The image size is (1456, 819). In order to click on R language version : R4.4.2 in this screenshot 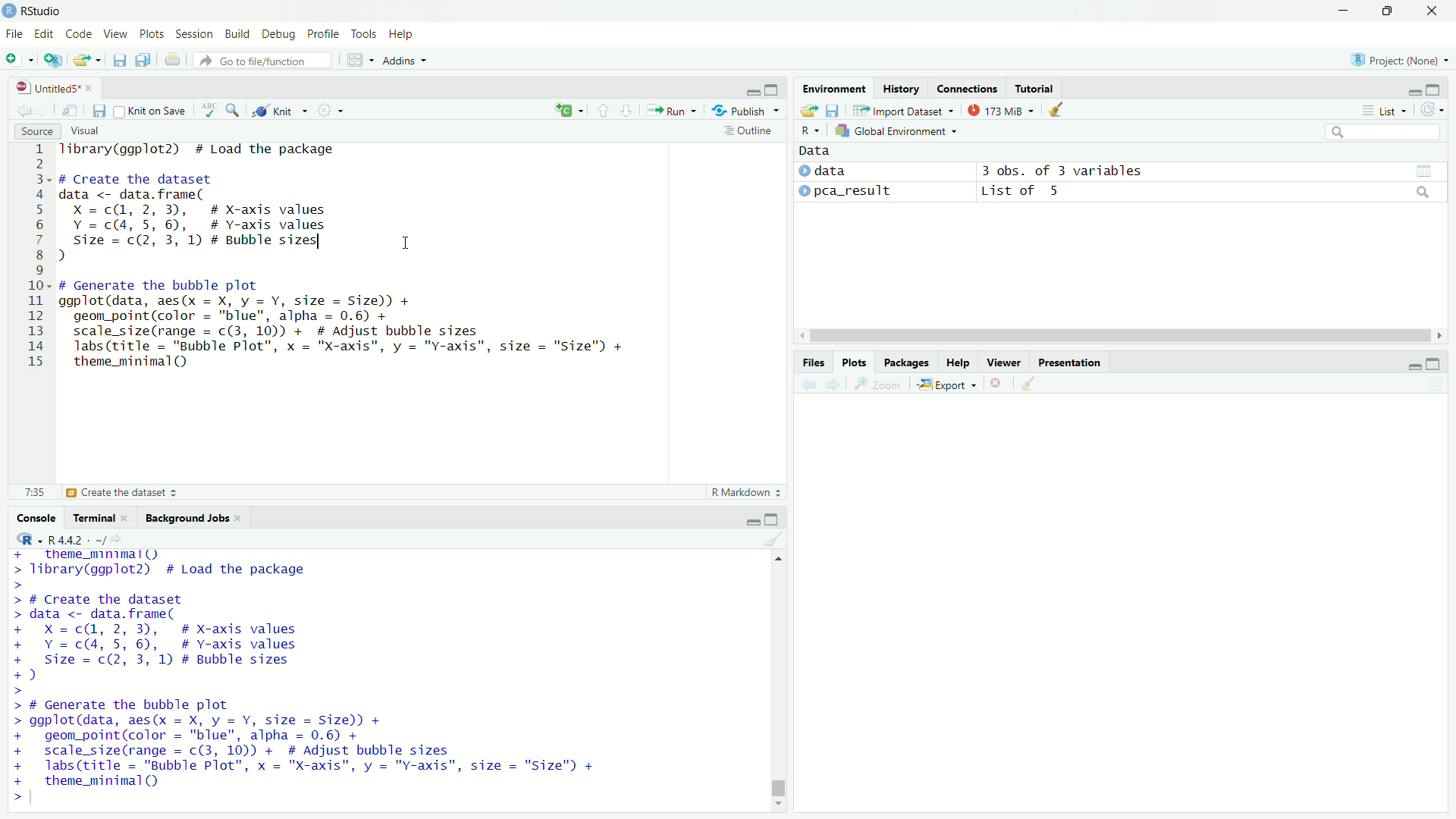, I will do `click(85, 539)`.